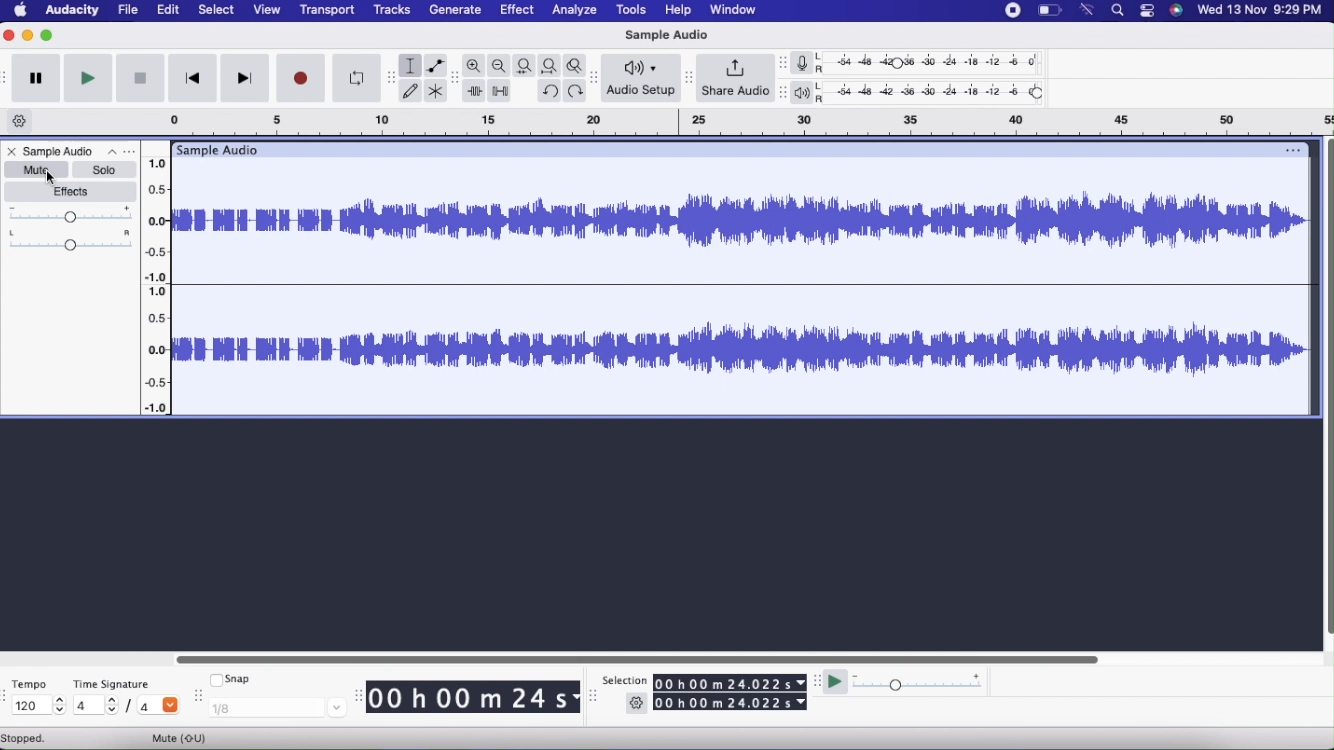  Describe the element at coordinates (733, 78) in the screenshot. I see `Share Audio` at that location.